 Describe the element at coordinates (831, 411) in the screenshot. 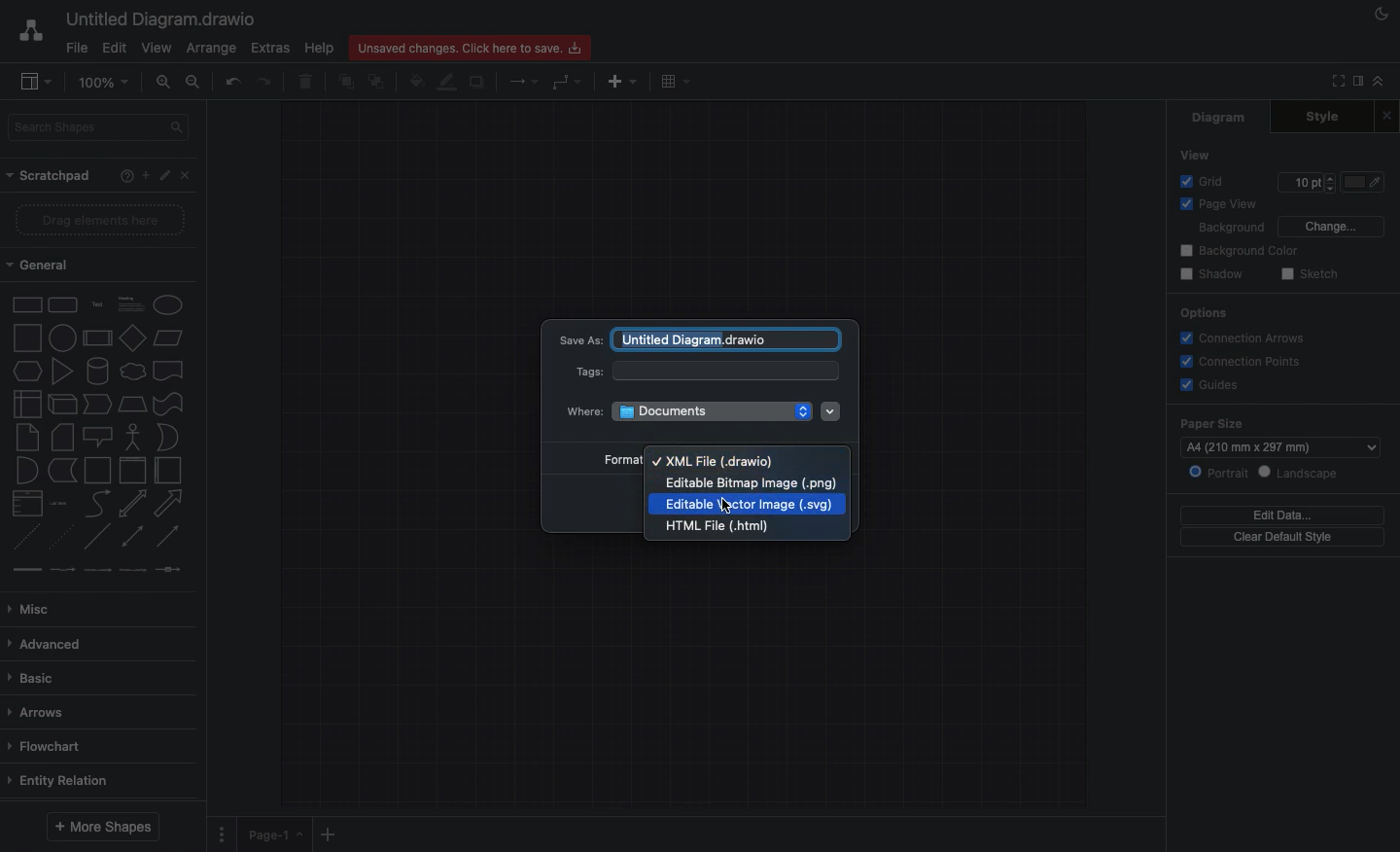

I see `Dropdown` at that location.